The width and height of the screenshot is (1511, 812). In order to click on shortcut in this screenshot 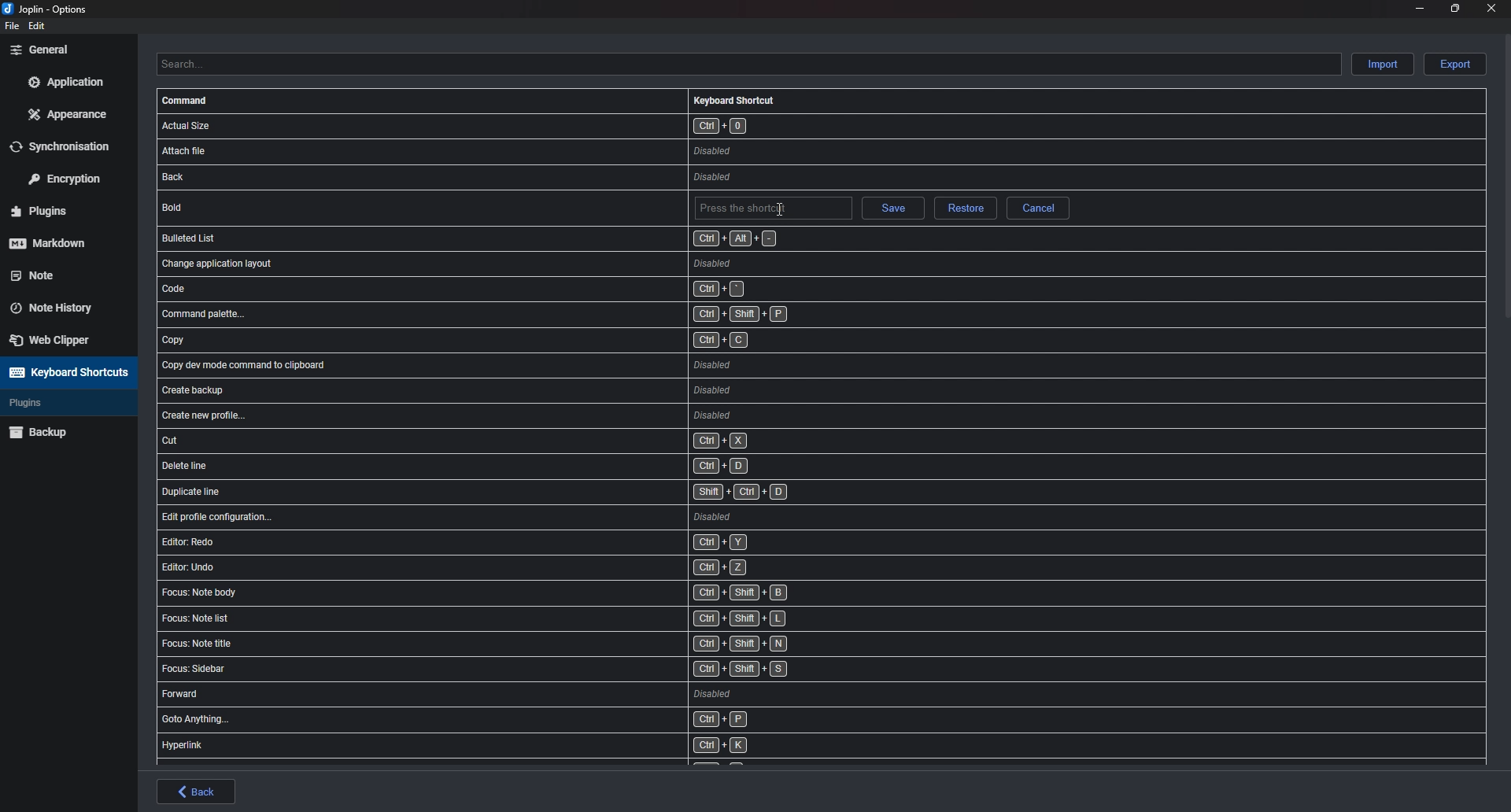, I will do `click(530, 288)`.